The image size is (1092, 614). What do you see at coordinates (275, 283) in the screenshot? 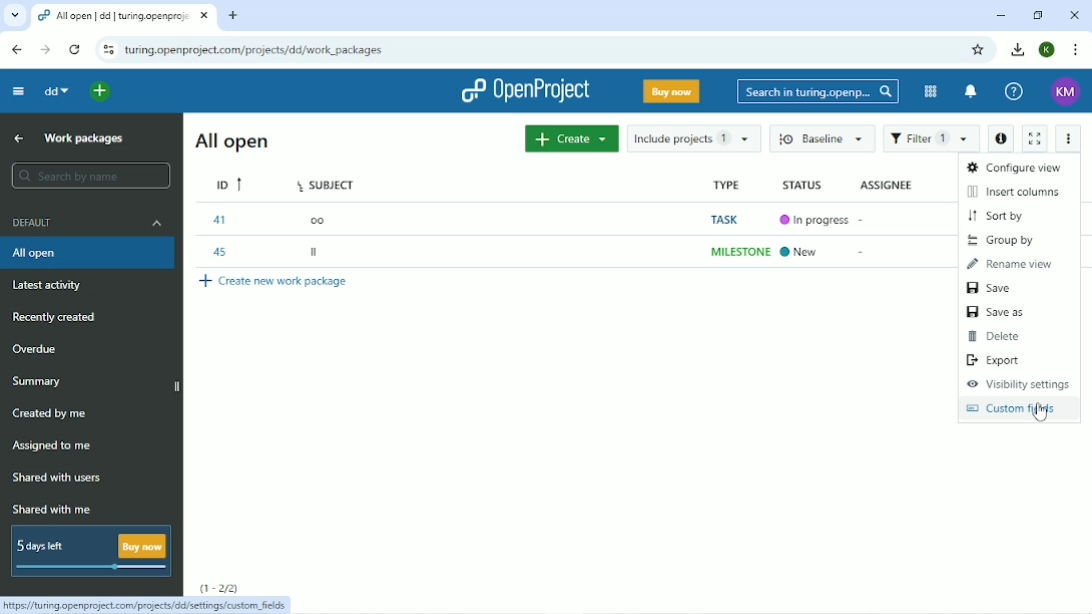
I see `Create new work package` at bounding box center [275, 283].